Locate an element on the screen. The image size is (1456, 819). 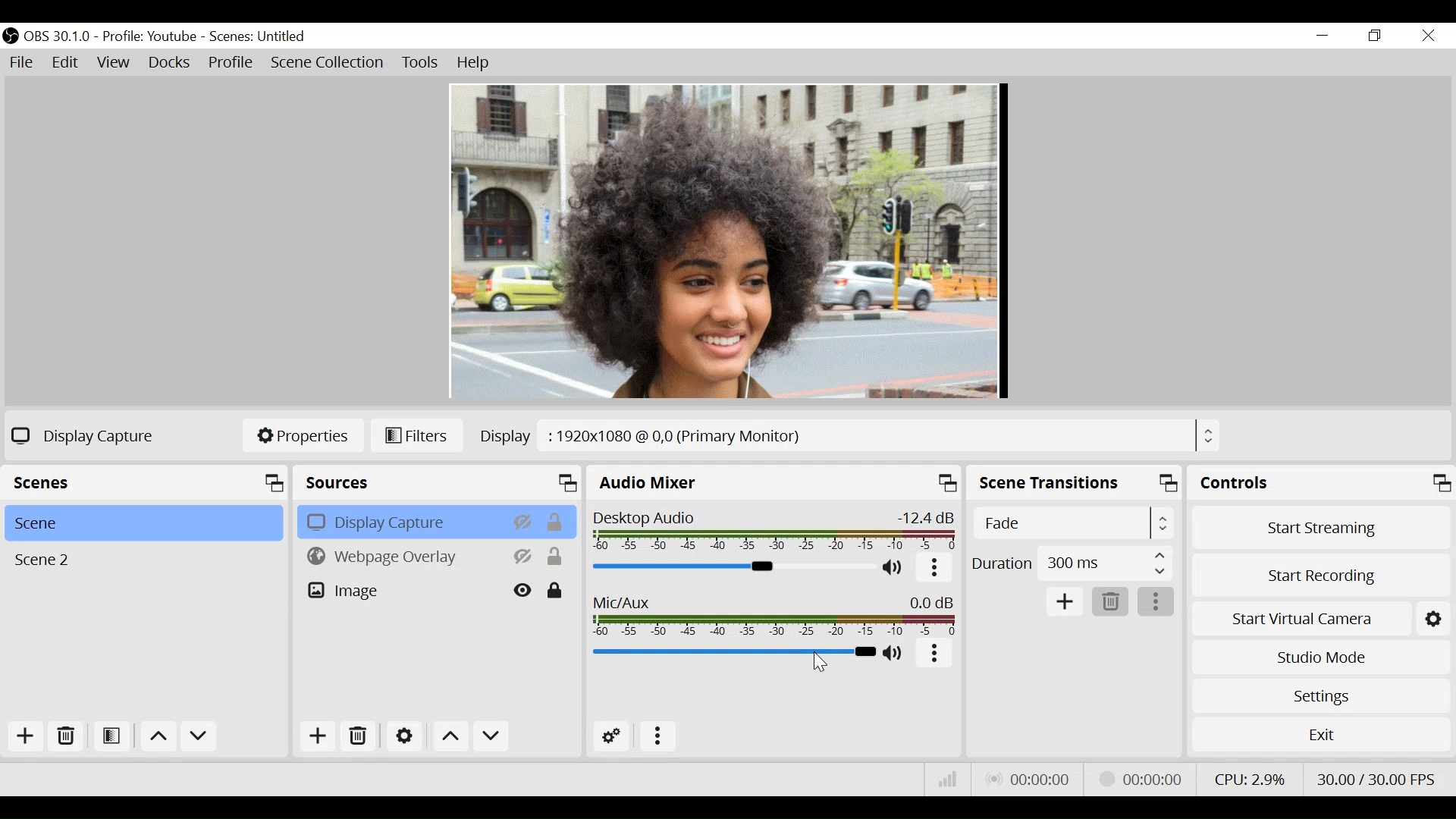
Mic/Aux Slider is located at coordinates (733, 652).